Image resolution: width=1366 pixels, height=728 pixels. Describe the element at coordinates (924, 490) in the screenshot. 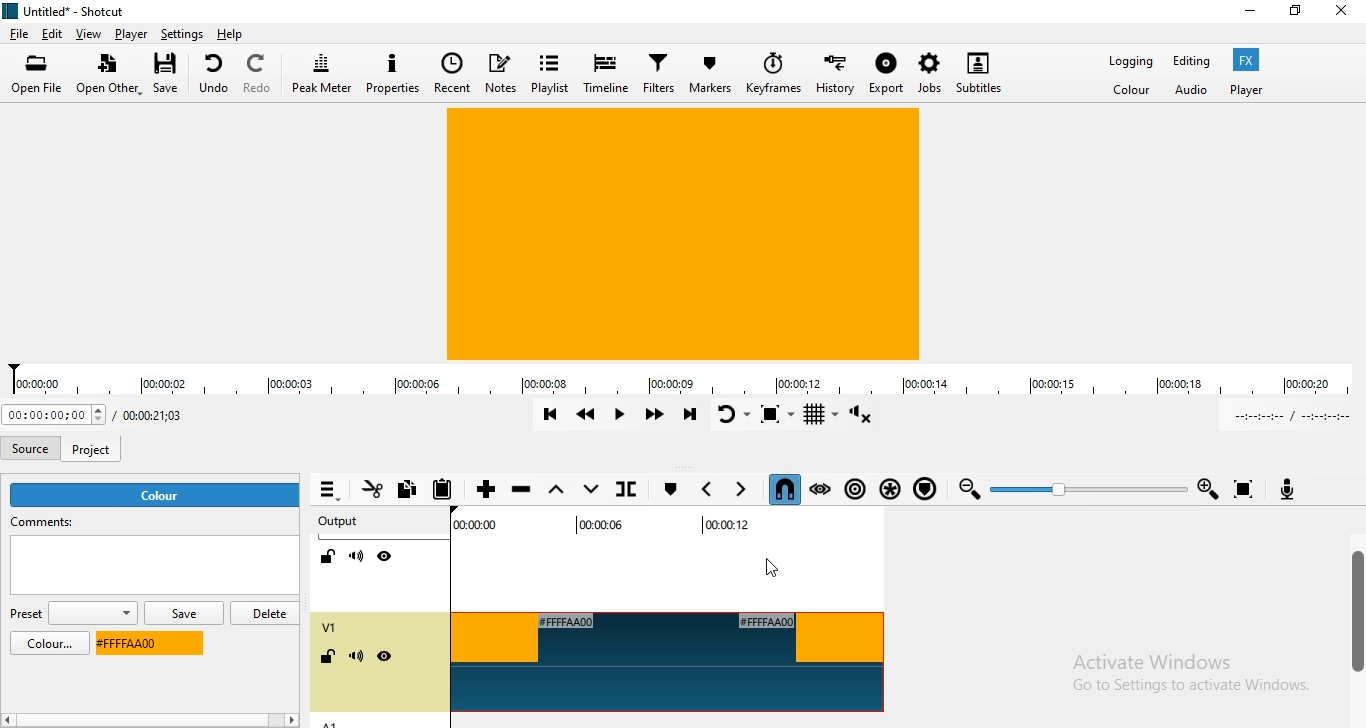

I see `Ripple markers` at that location.